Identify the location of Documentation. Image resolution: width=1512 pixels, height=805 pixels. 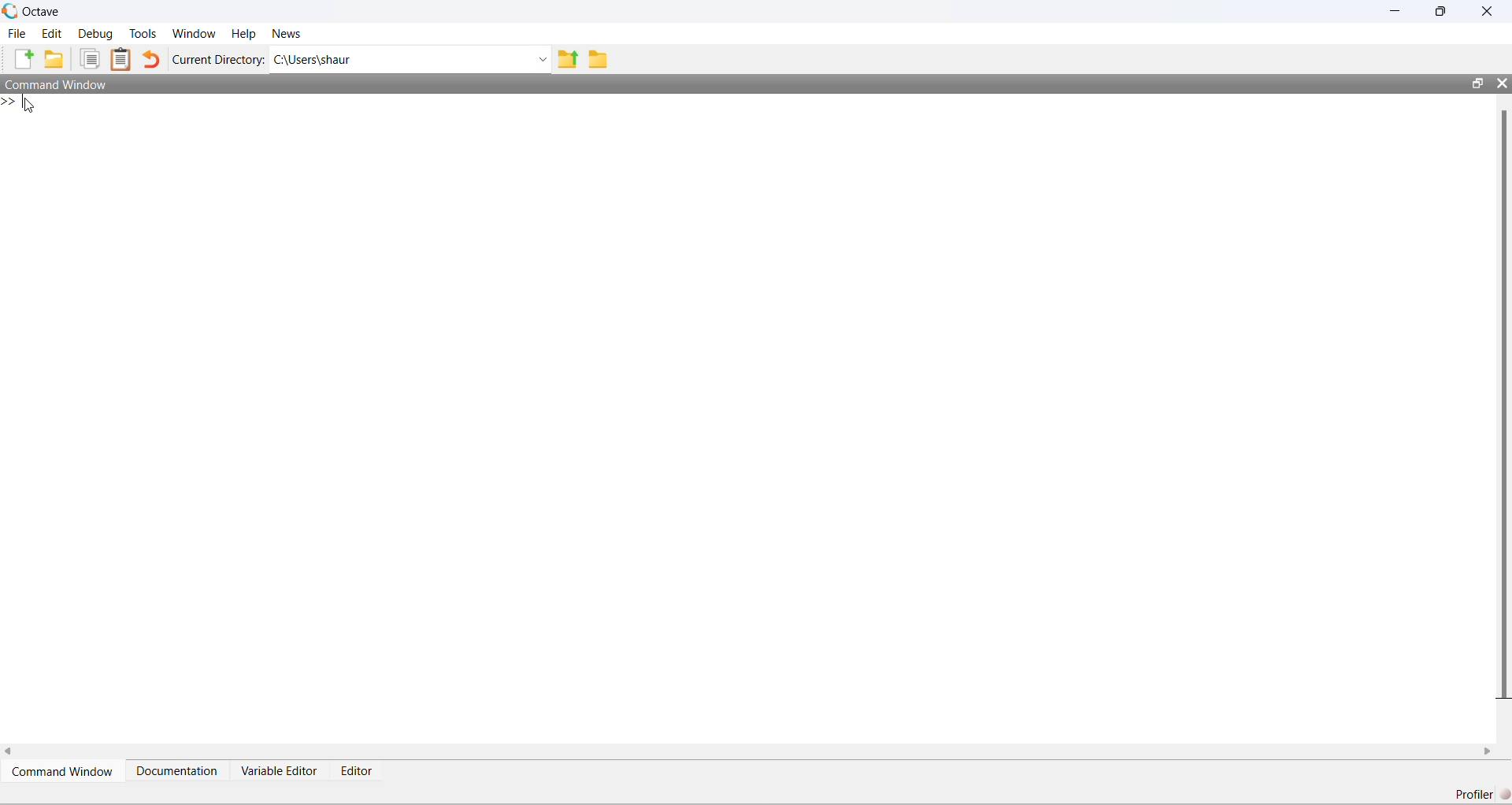
(176, 770).